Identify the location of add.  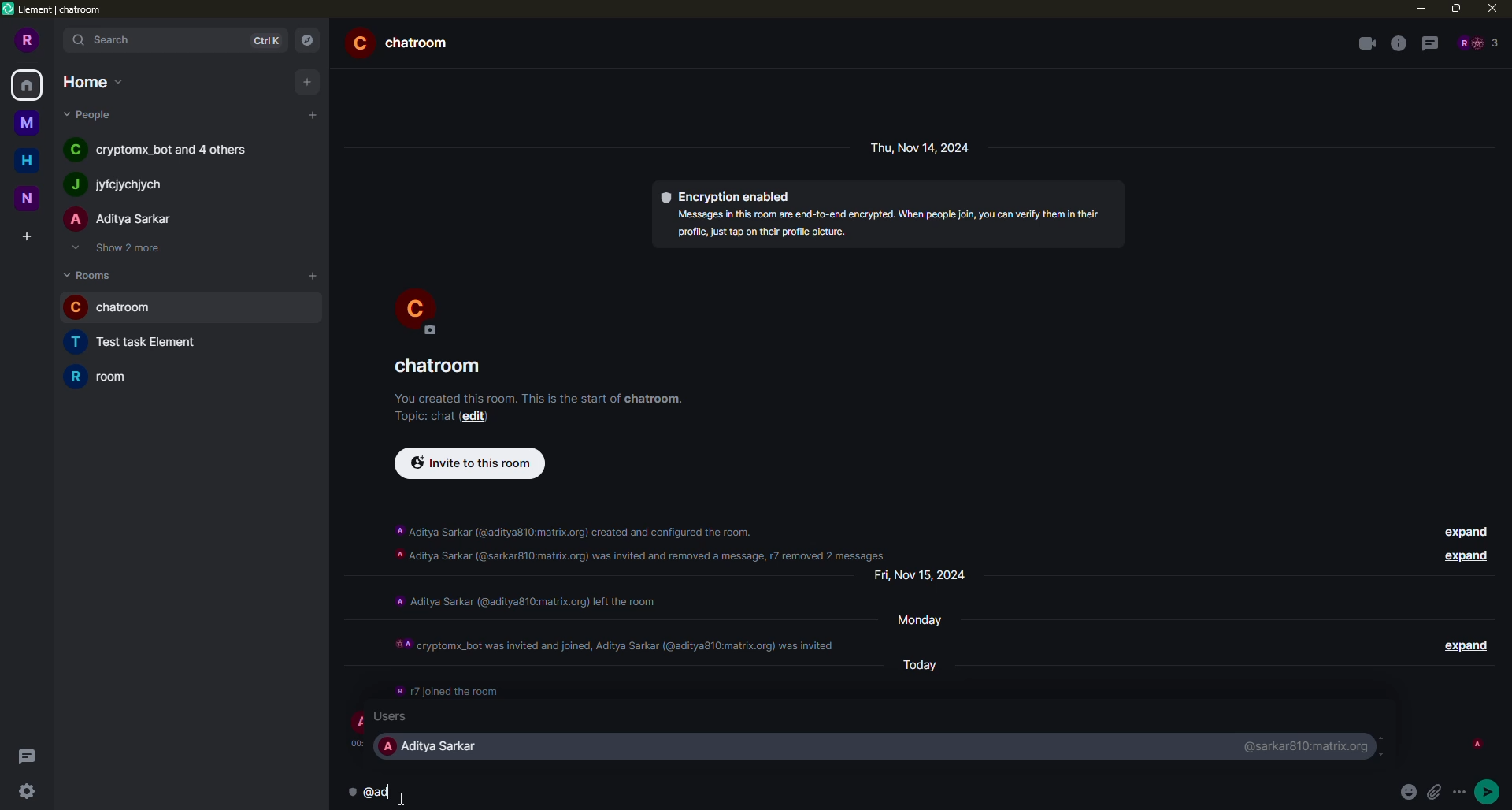
(314, 114).